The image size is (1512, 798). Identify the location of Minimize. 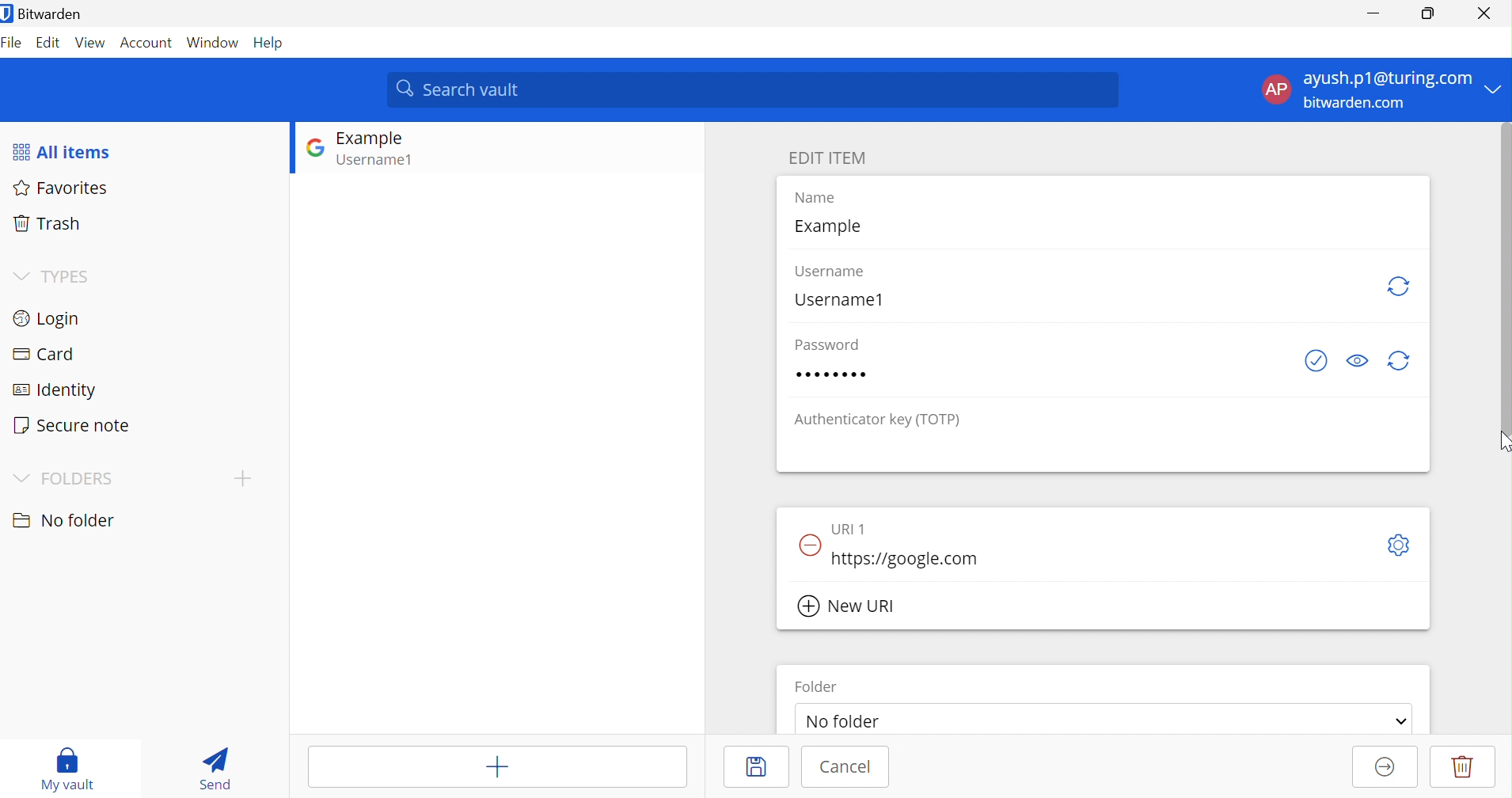
(1370, 13).